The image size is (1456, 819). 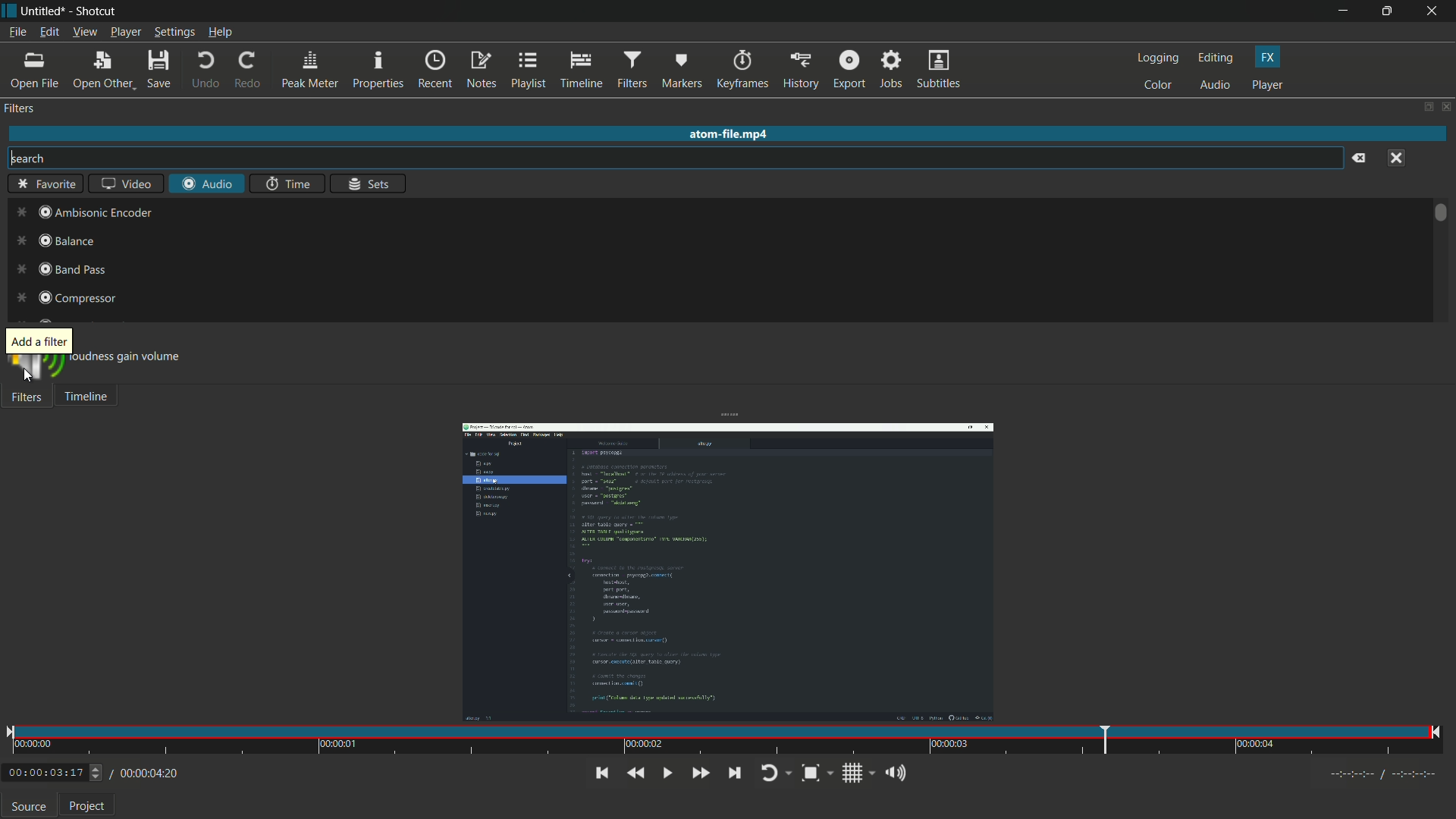 I want to click on view menu, so click(x=84, y=33).